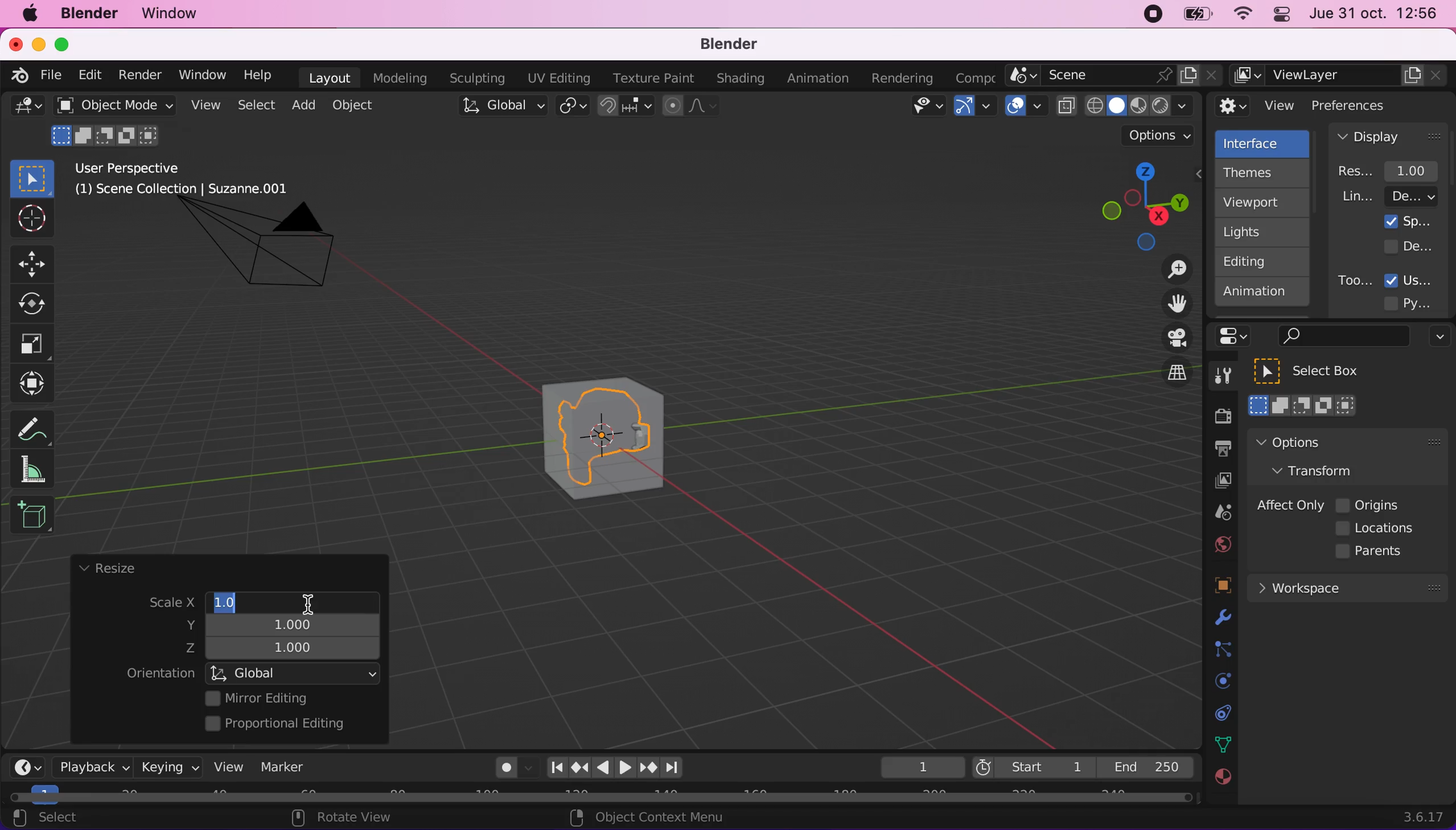 The image size is (1456, 830). I want to click on blender, so click(721, 45).